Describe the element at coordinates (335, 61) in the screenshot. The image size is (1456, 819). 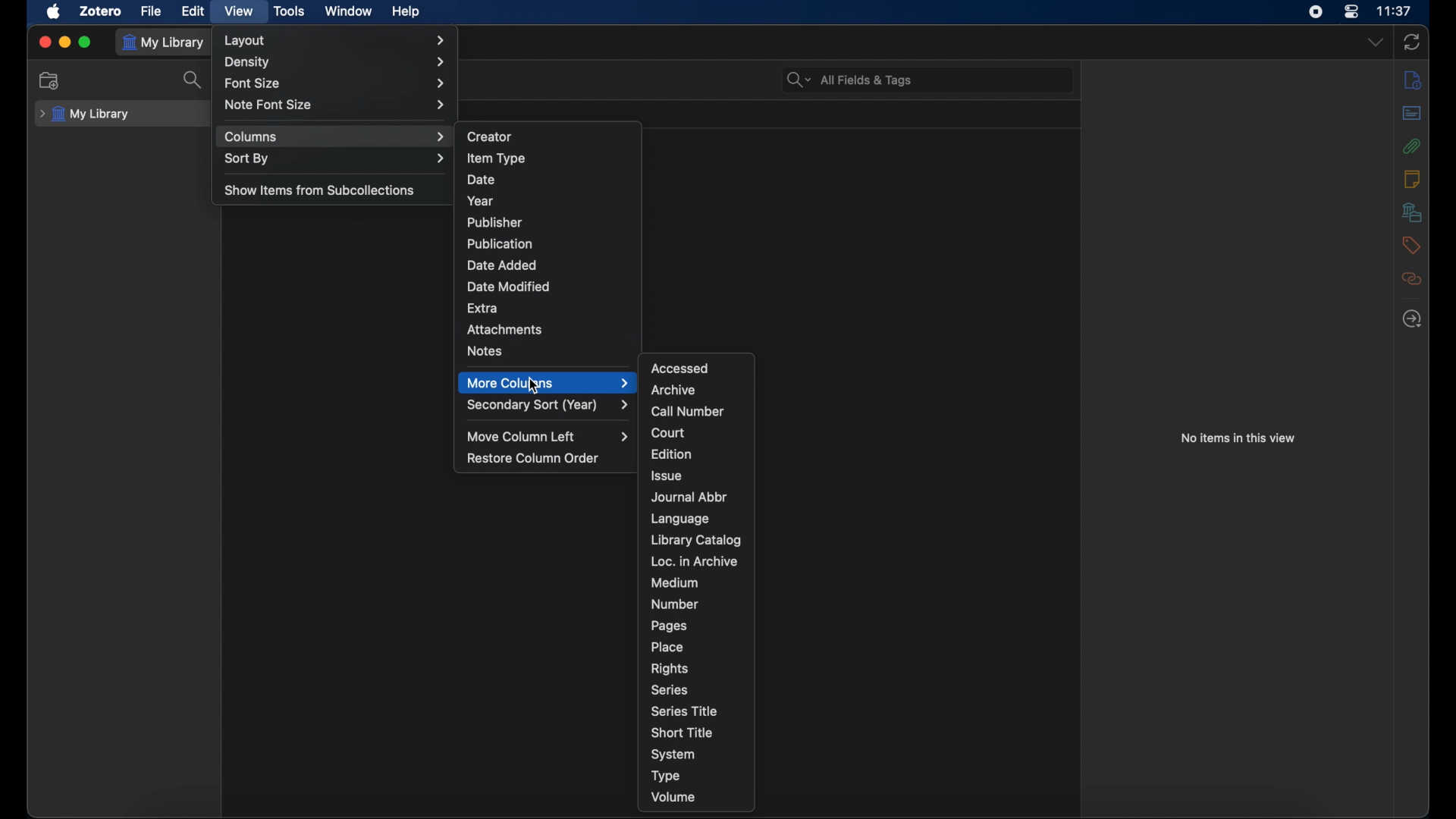
I see `density` at that location.